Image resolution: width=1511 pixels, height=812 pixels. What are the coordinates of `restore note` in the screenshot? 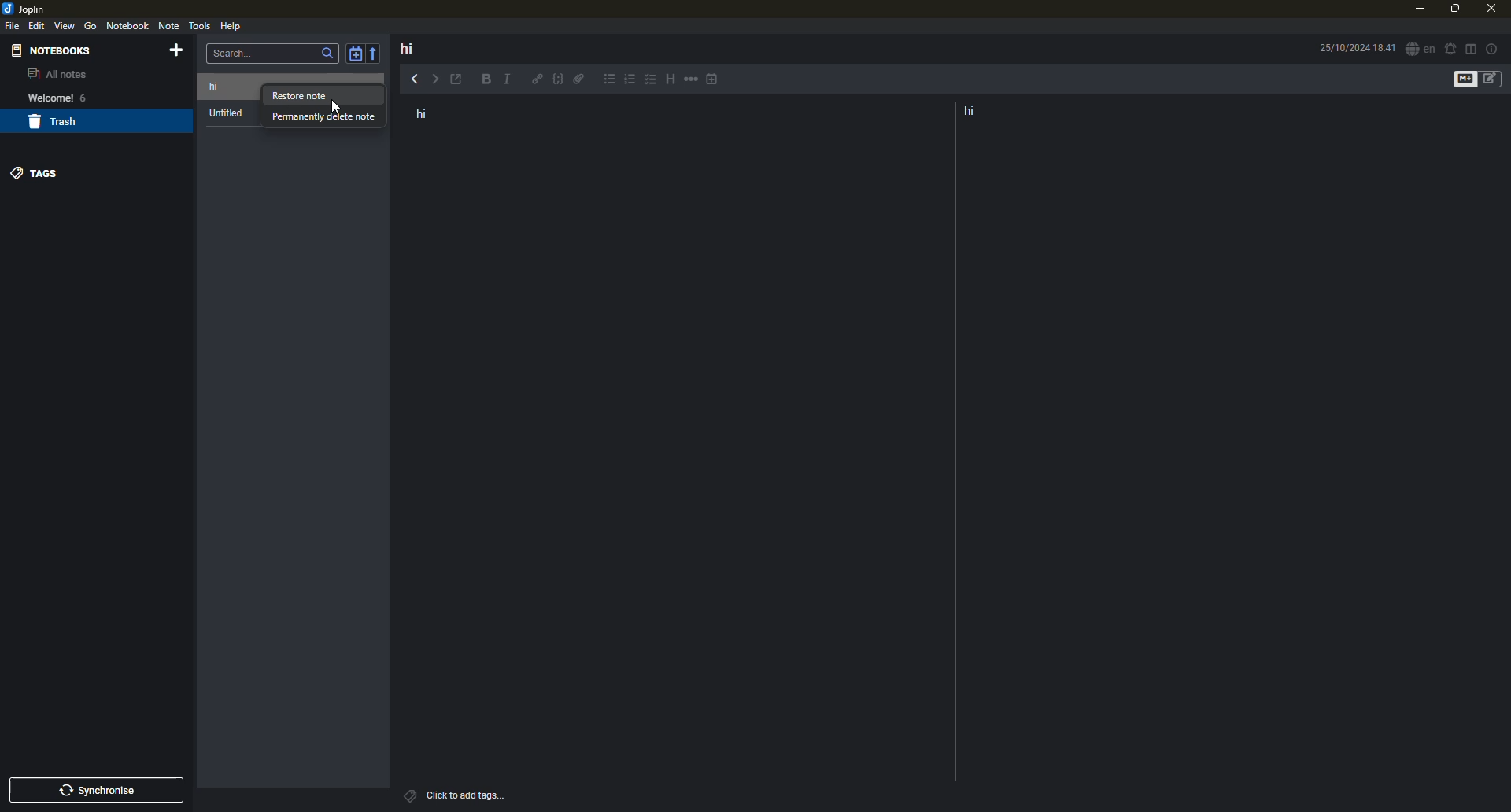 It's located at (301, 97).